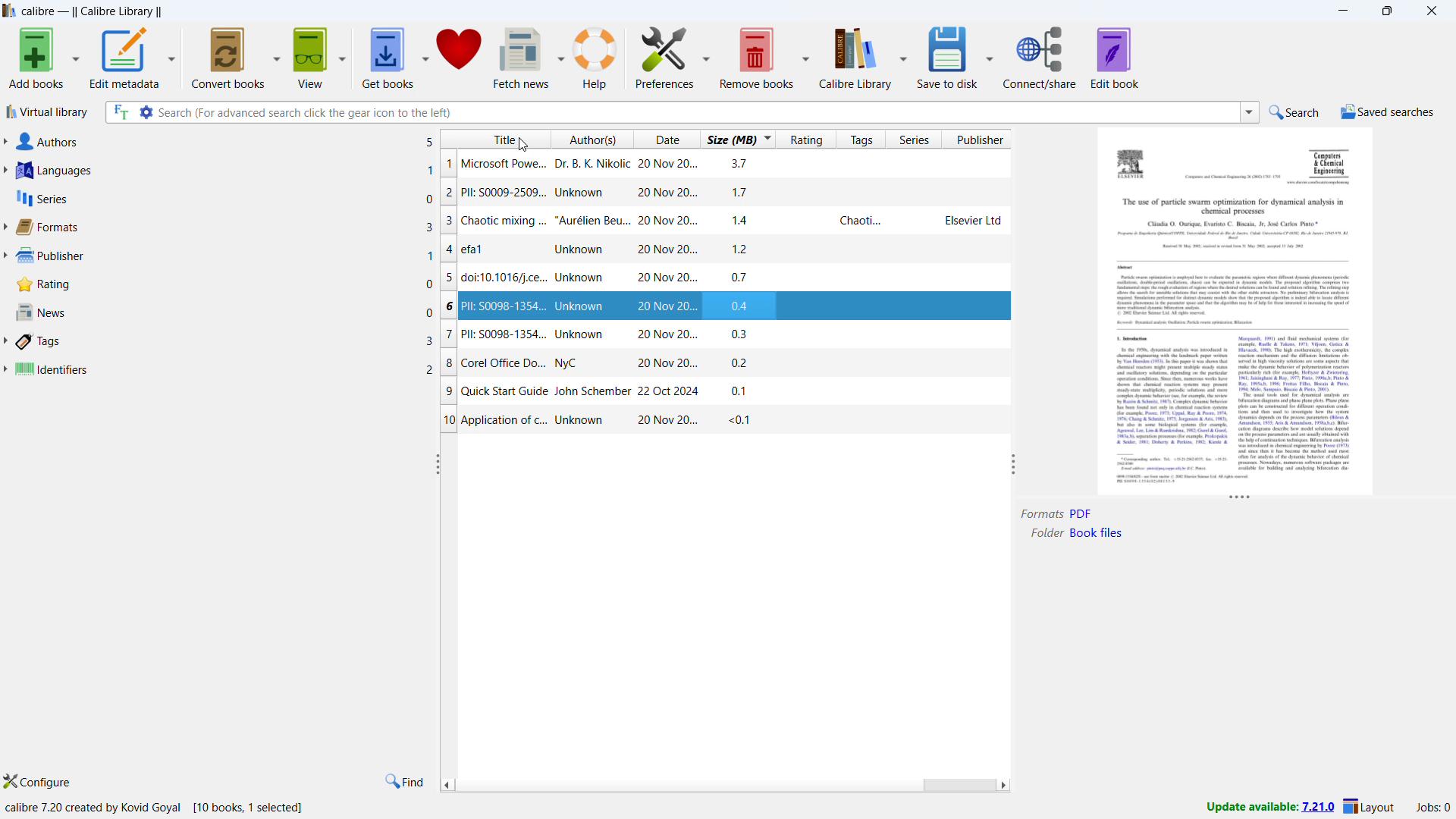 This screenshot has width=1456, height=819. What do you see at coordinates (404, 781) in the screenshot?
I see `find in tags` at bounding box center [404, 781].